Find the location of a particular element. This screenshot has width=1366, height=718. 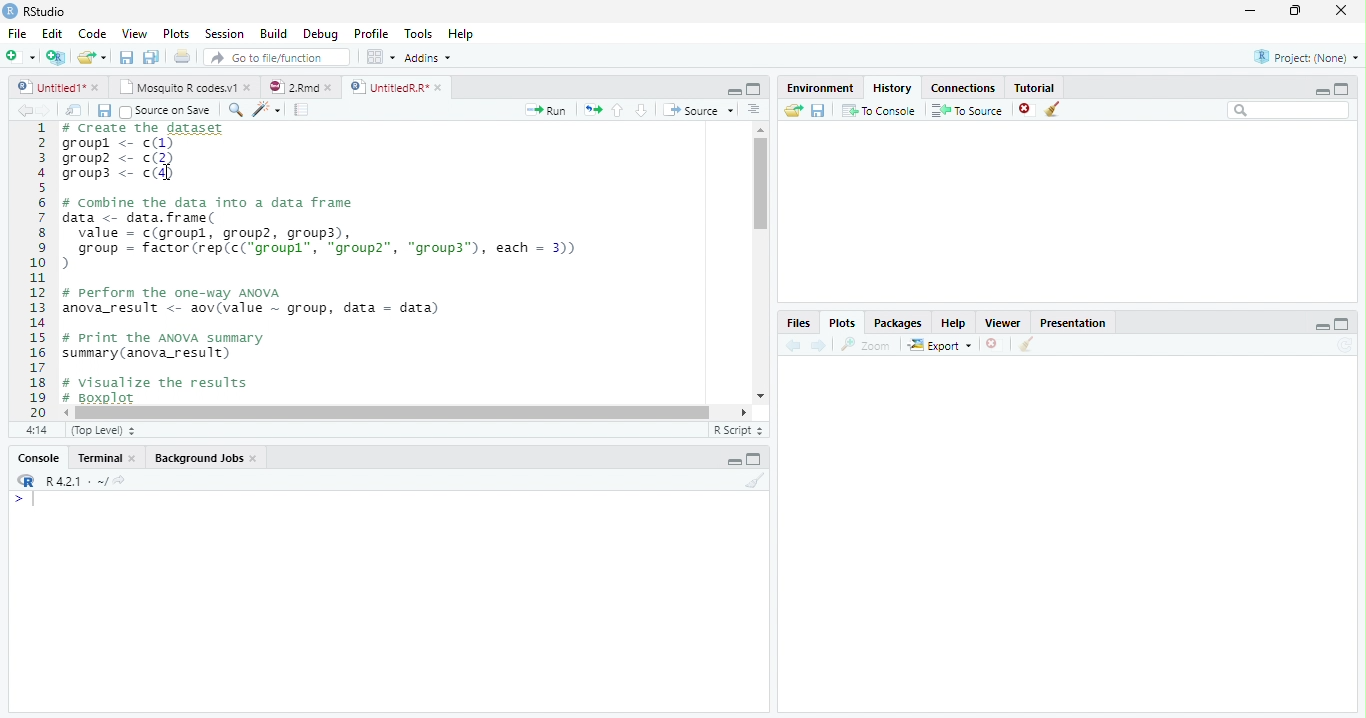

Clear objects from the workspace is located at coordinates (1051, 106).